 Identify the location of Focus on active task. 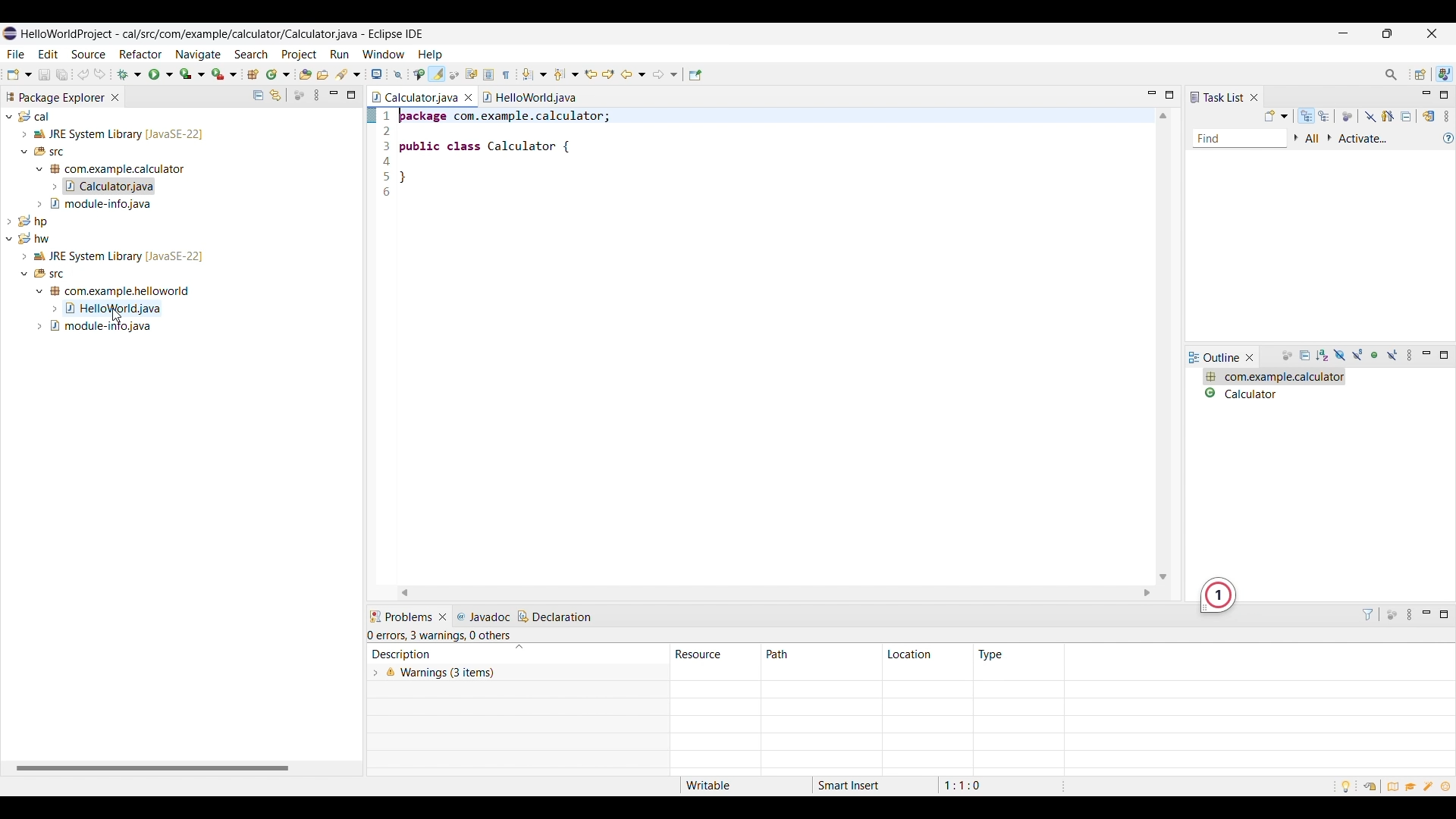
(1287, 356).